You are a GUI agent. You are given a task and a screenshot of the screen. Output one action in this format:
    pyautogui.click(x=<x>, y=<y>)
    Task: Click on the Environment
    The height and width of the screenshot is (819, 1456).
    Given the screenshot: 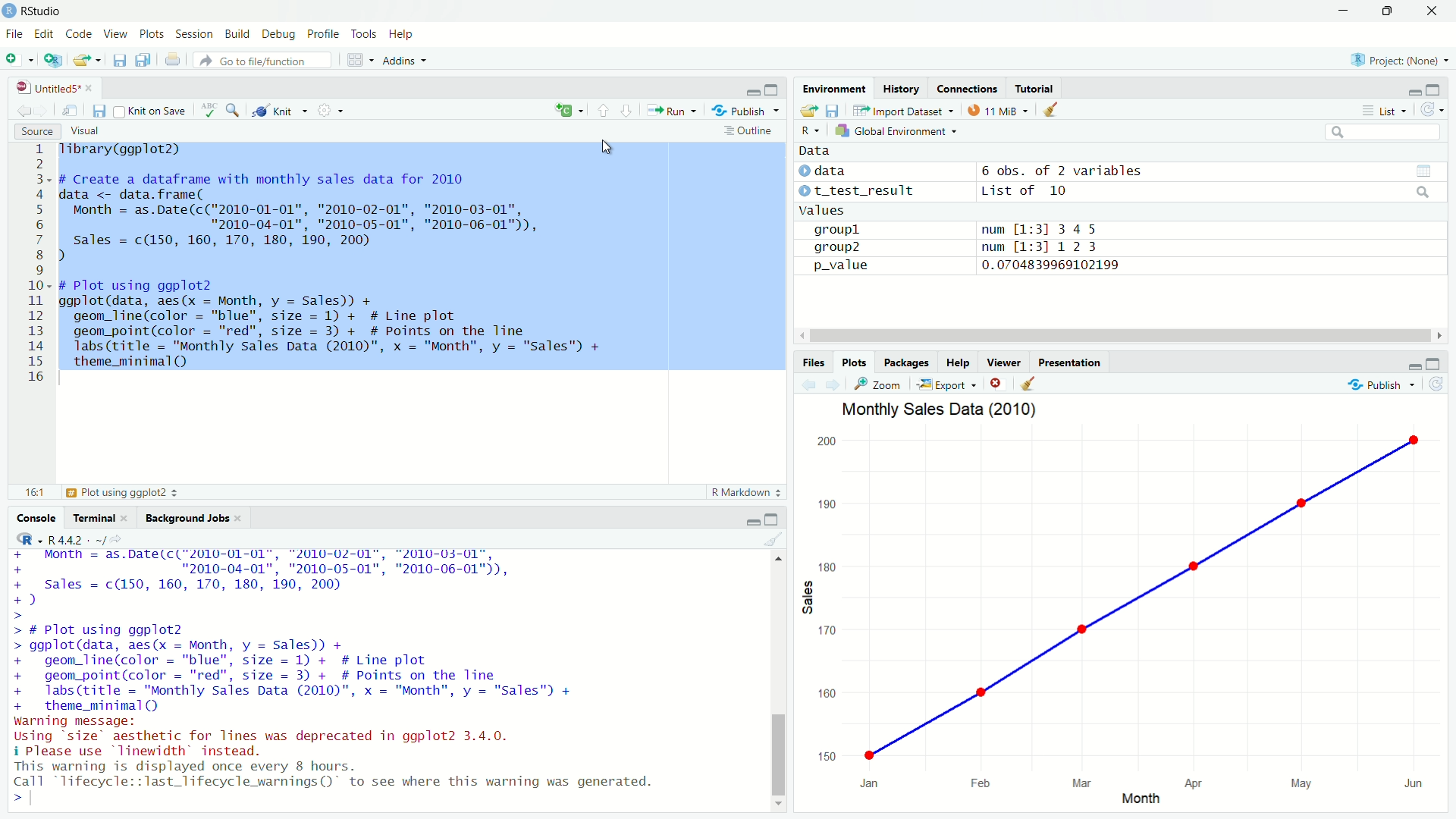 What is the action you would take?
    pyautogui.click(x=830, y=86)
    